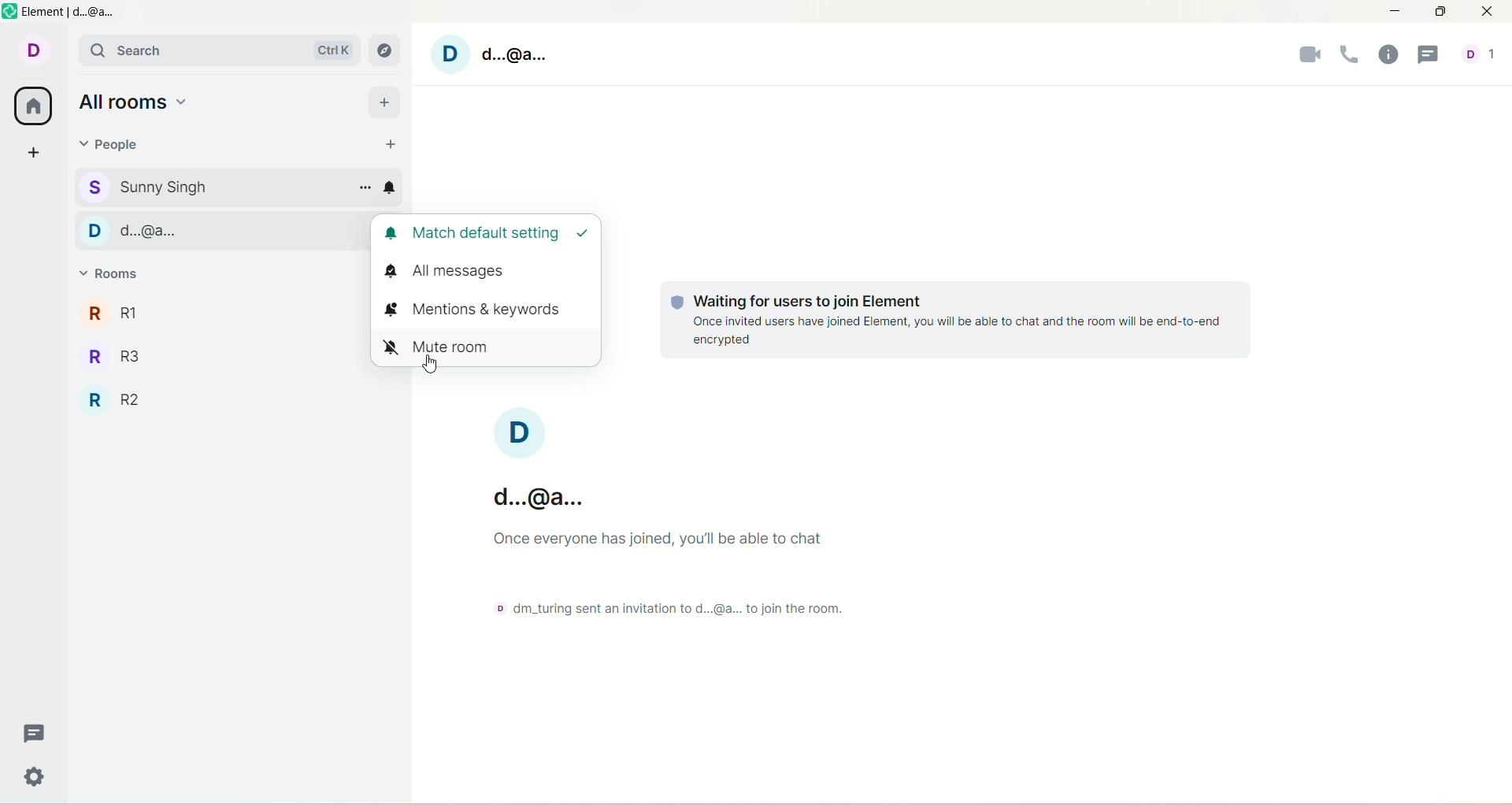 The width and height of the screenshot is (1512, 805). What do you see at coordinates (1386, 57) in the screenshot?
I see `room info` at bounding box center [1386, 57].